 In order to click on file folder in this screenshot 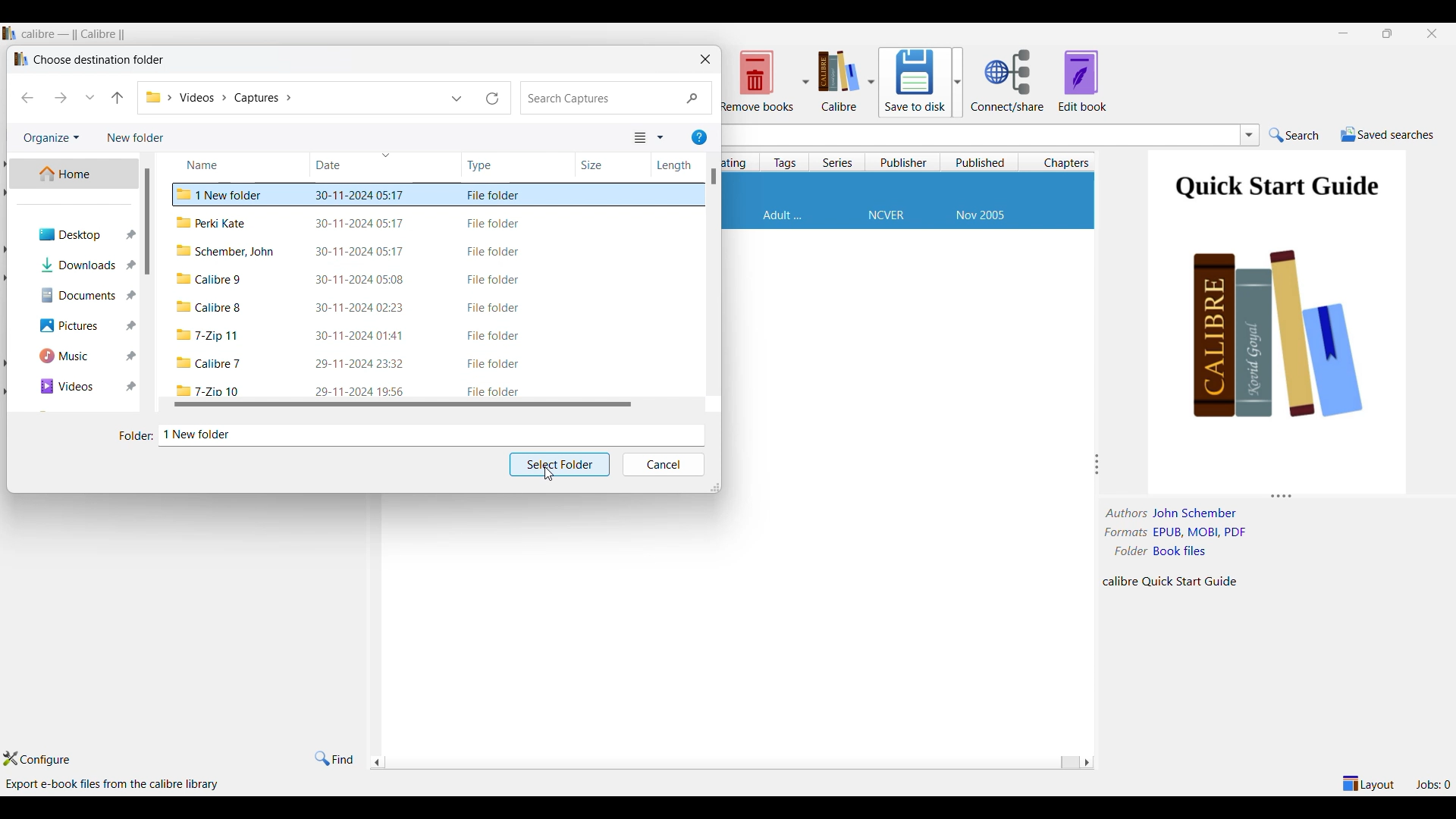, I will do `click(495, 224)`.